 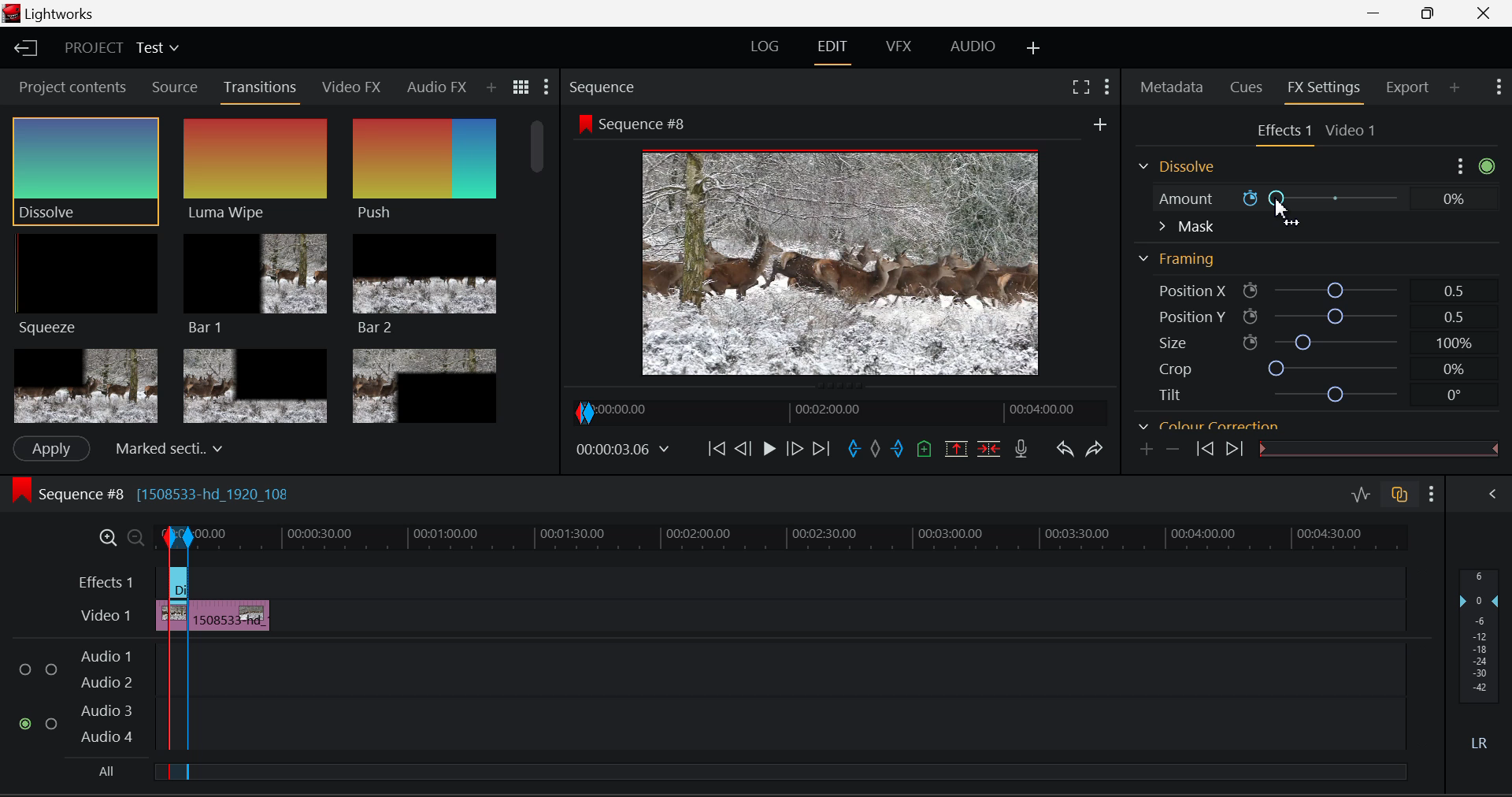 I want to click on Previous keyframe, so click(x=1204, y=449).